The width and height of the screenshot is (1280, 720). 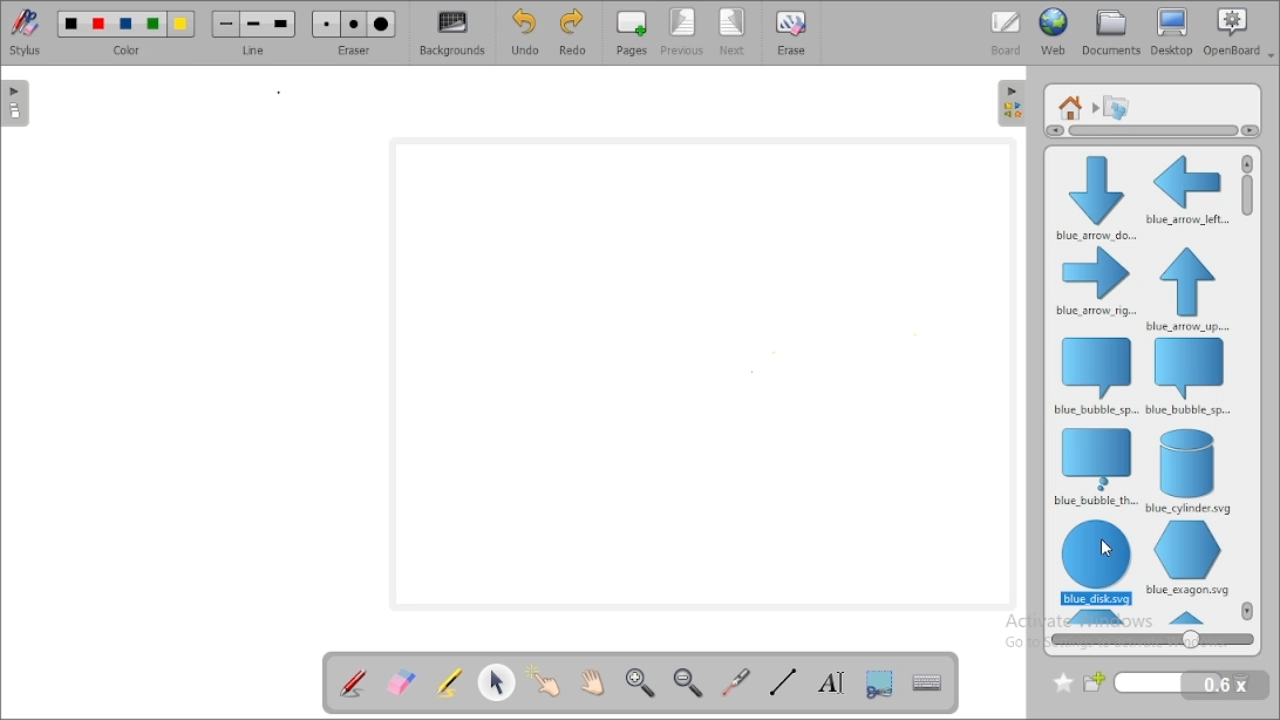 What do you see at coordinates (1239, 32) in the screenshot?
I see `openboard` at bounding box center [1239, 32].